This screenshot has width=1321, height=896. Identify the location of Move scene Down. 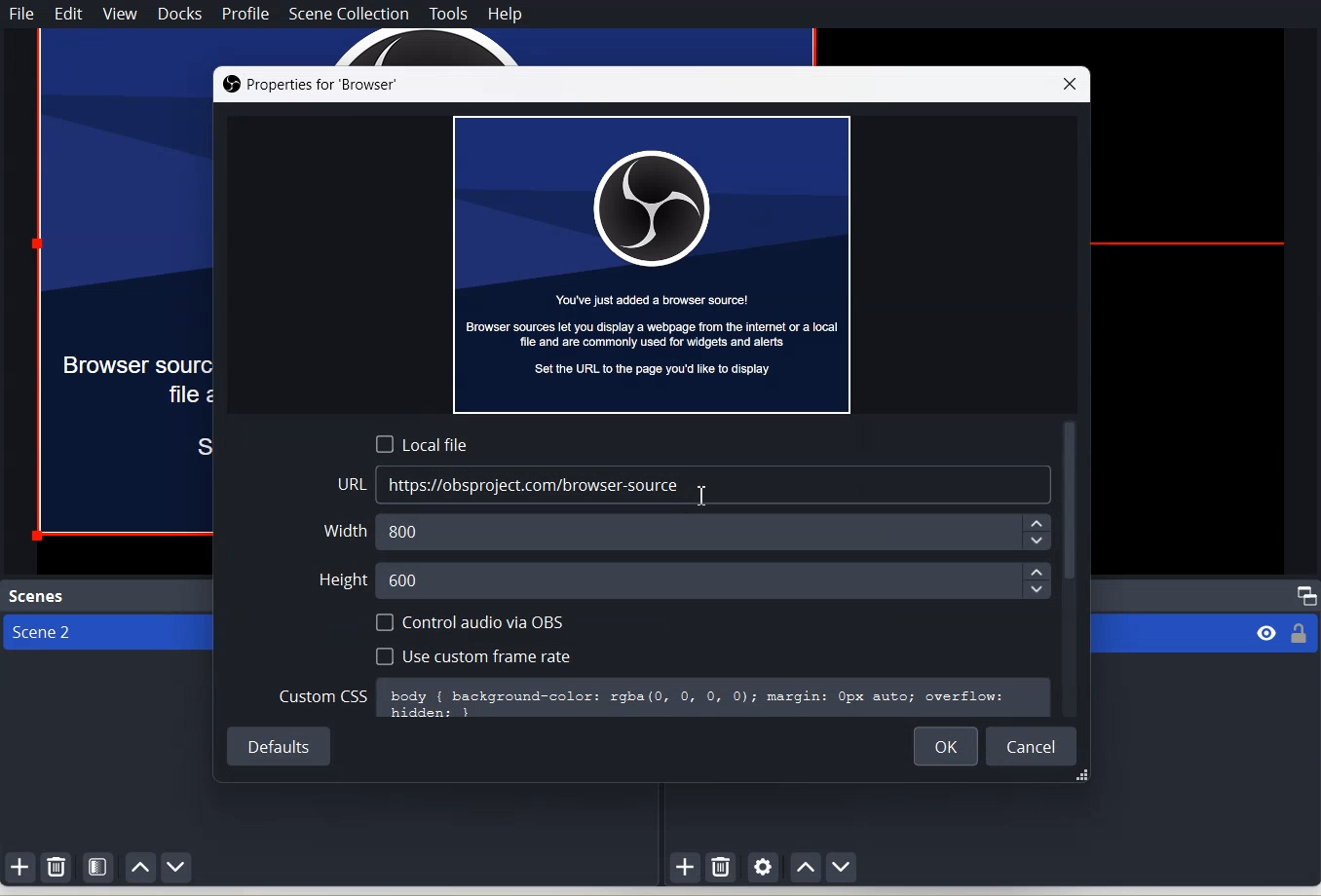
(177, 867).